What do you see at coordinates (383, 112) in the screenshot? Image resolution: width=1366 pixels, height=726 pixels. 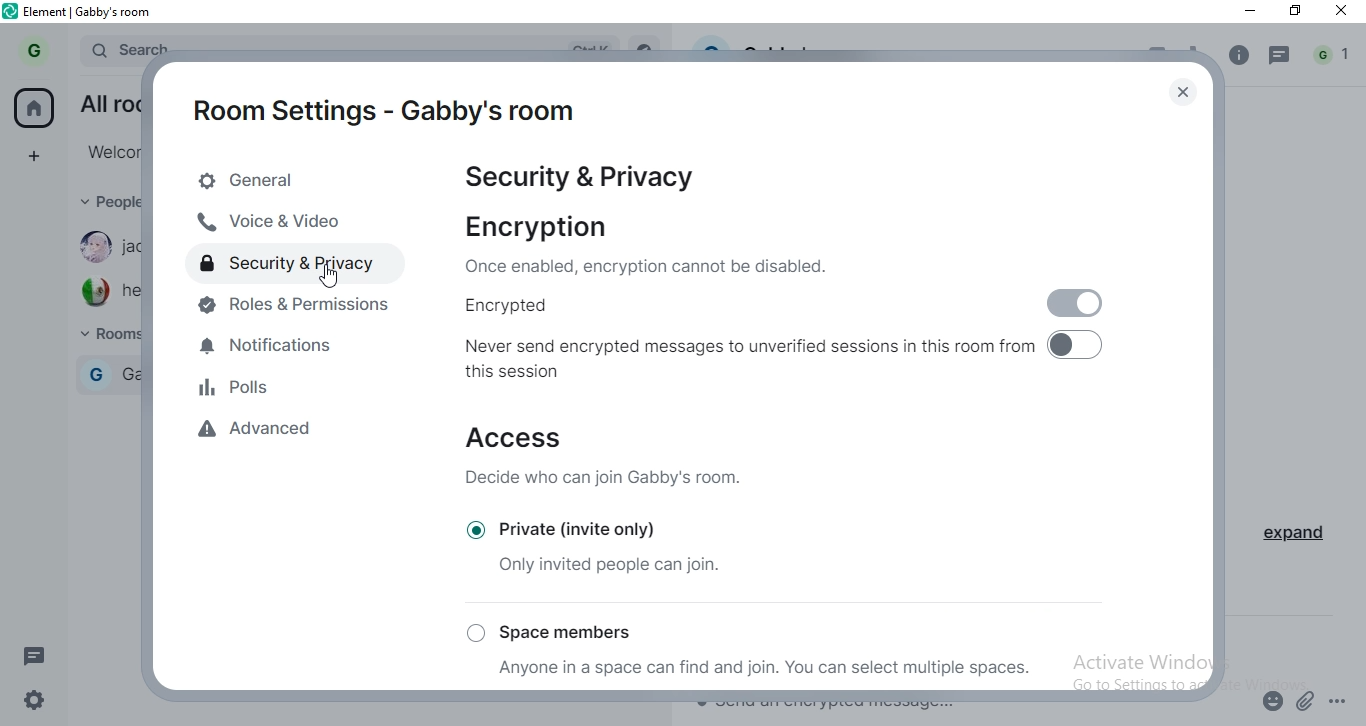 I see `room settings - gabby's room` at bounding box center [383, 112].